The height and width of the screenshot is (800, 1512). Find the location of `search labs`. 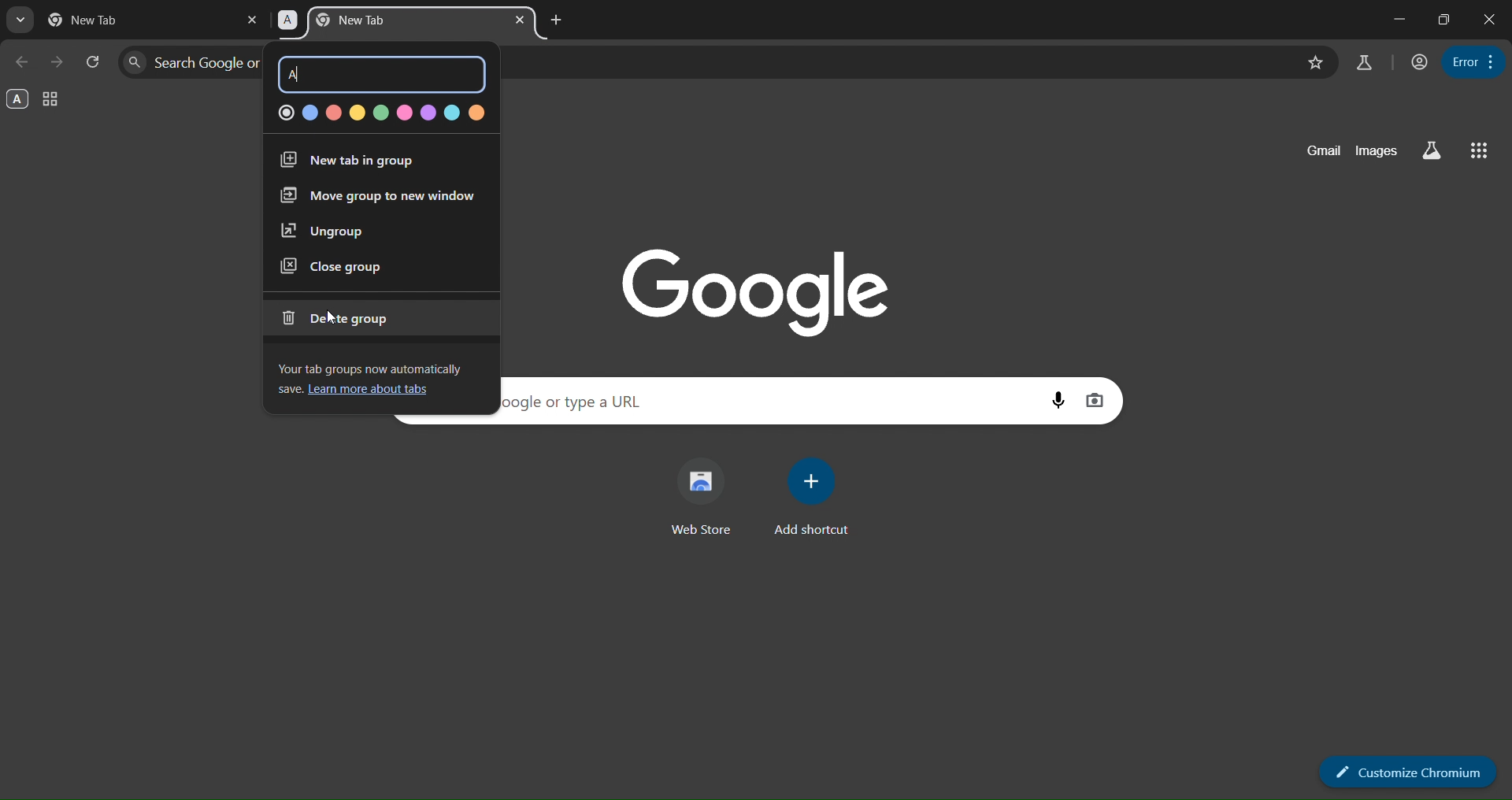

search labs is located at coordinates (1364, 62).